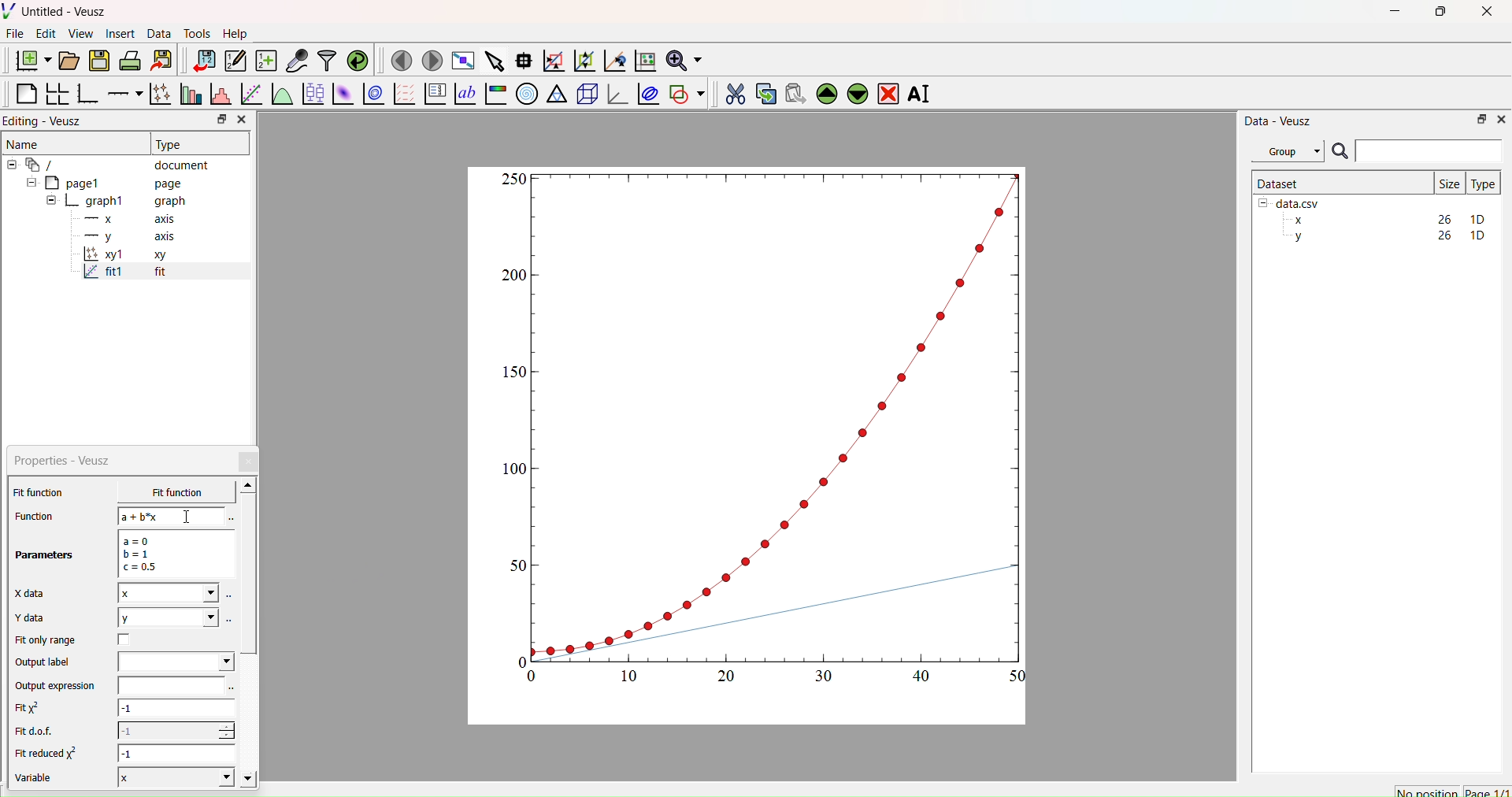 The width and height of the screenshot is (1512, 797). I want to click on New Document, so click(29, 58).